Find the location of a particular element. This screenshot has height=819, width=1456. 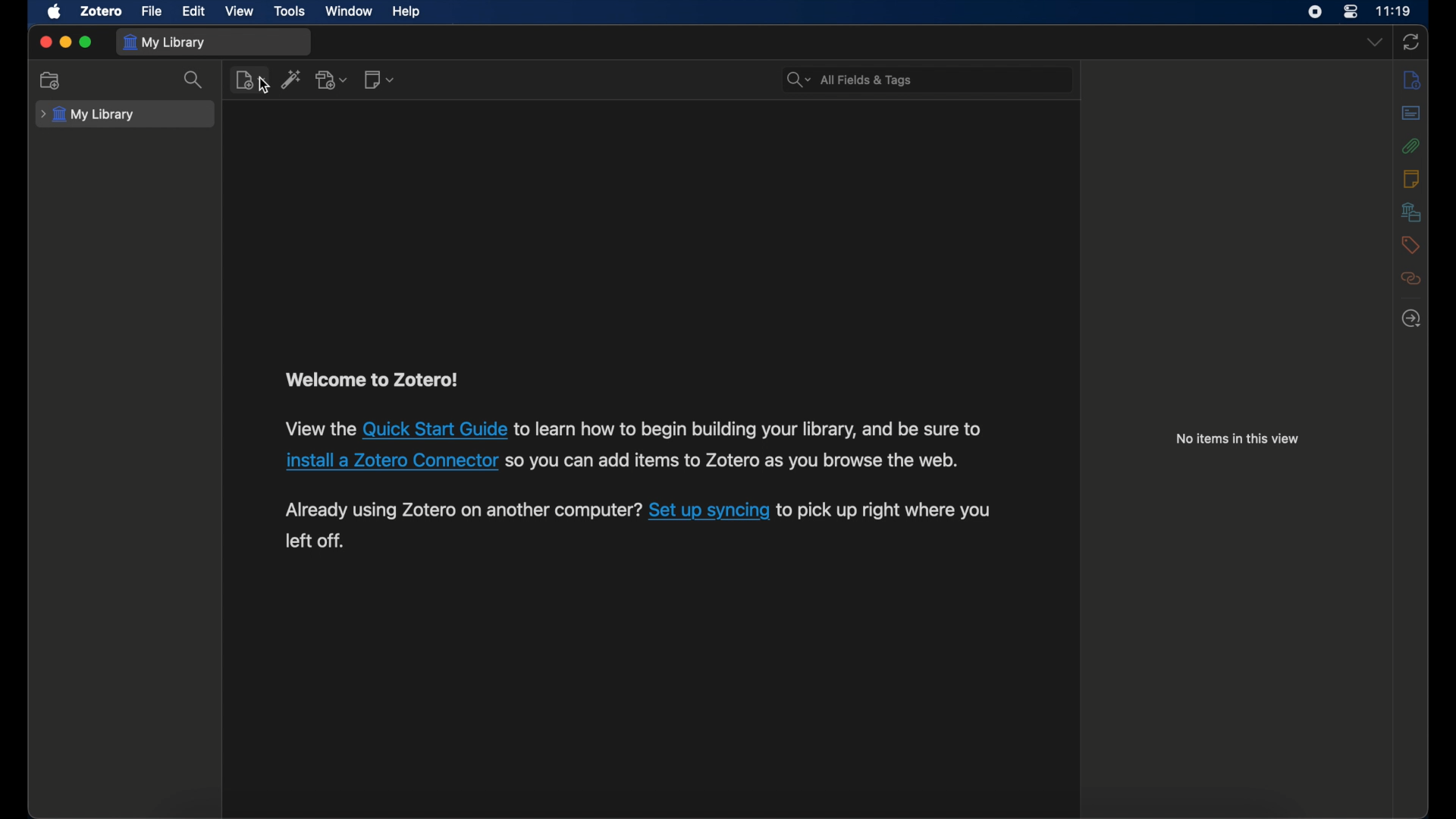

maximize is located at coordinates (86, 42).